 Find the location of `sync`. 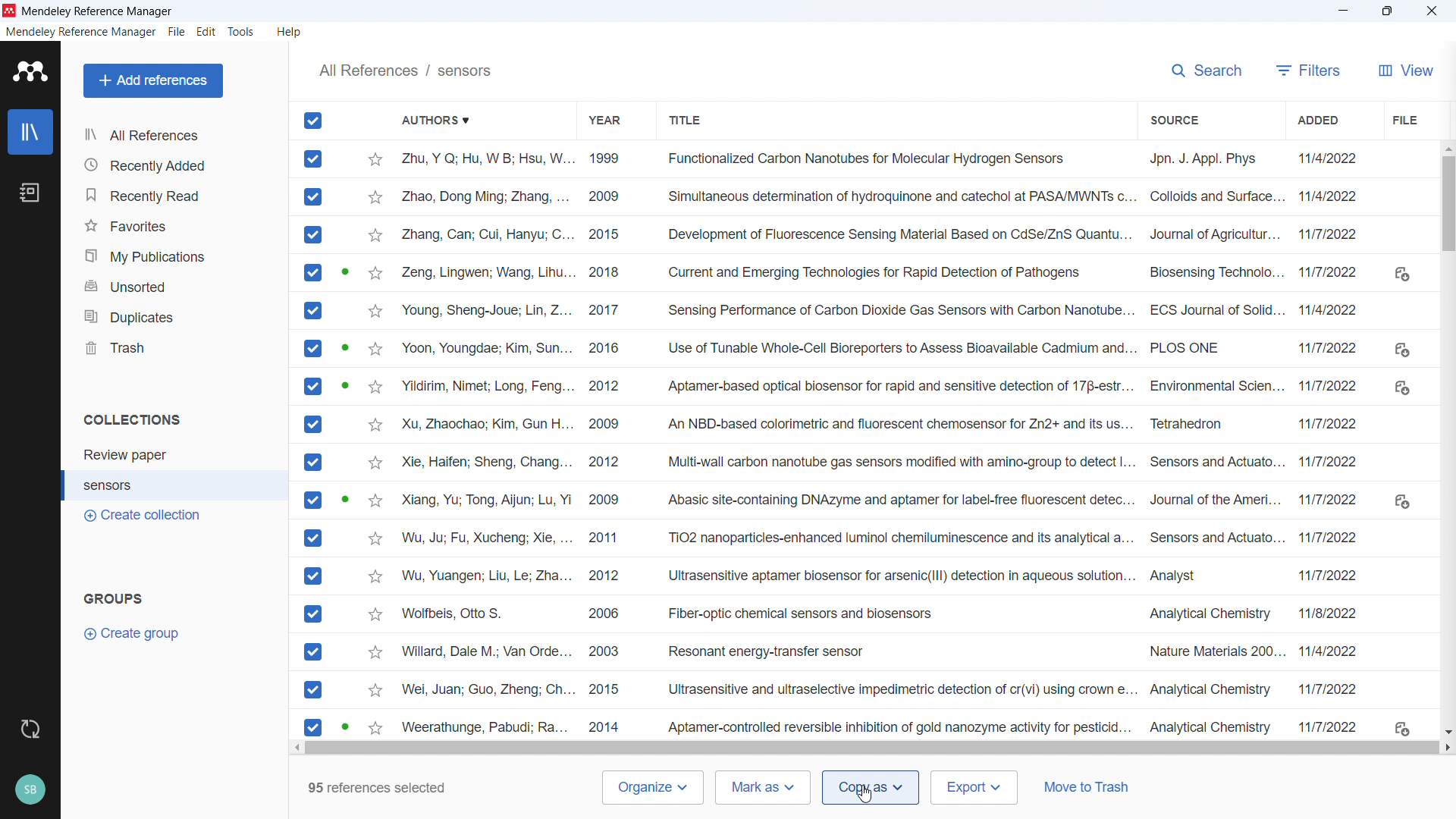

sync is located at coordinates (29, 728).